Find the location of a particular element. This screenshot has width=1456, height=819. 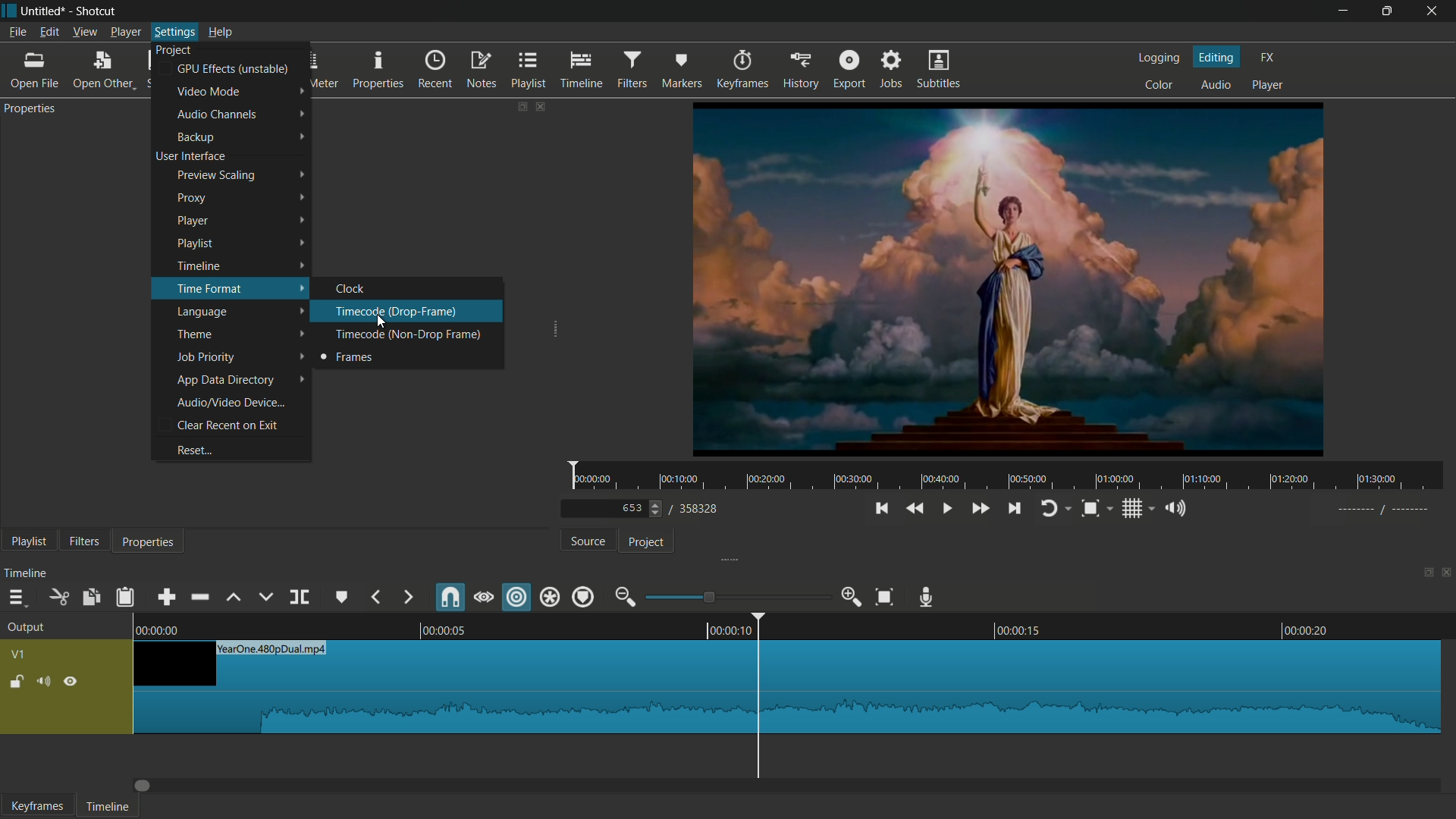

job priority is located at coordinates (205, 355).